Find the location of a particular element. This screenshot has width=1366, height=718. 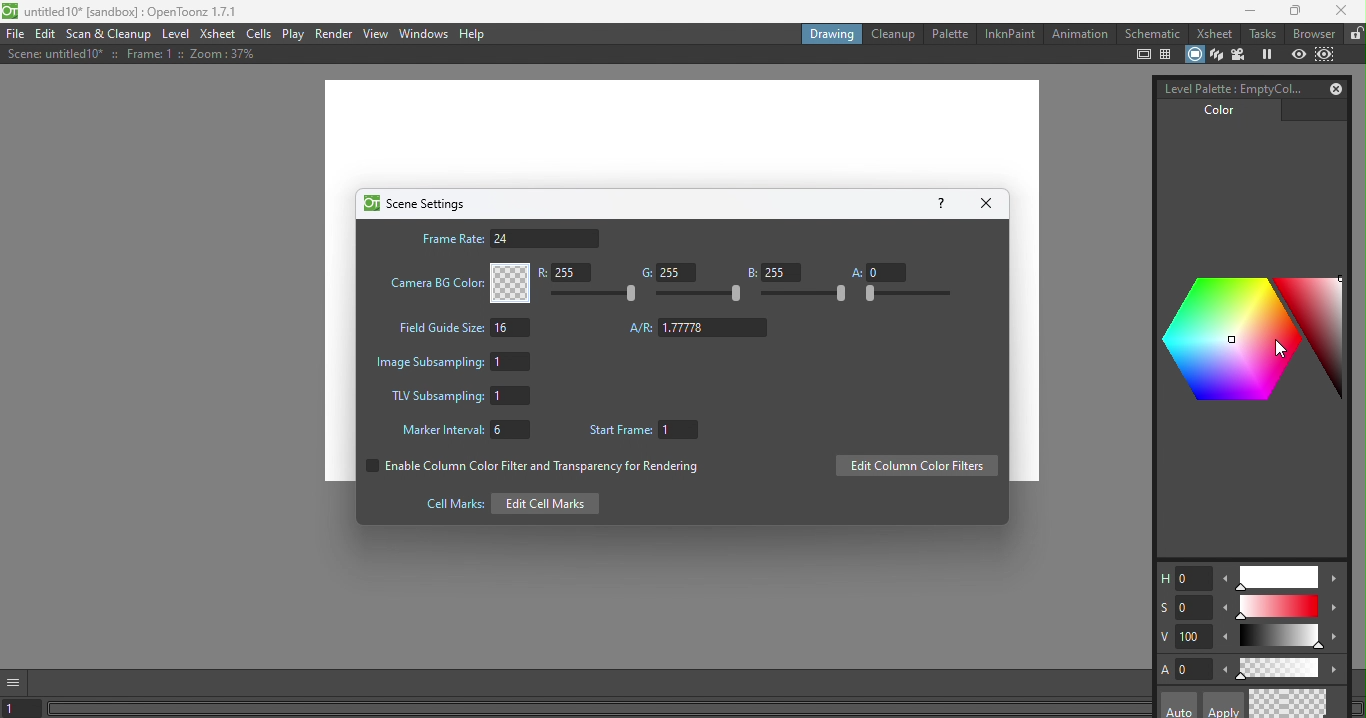

Lock rooms tab is located at coordinates (1354, 34).